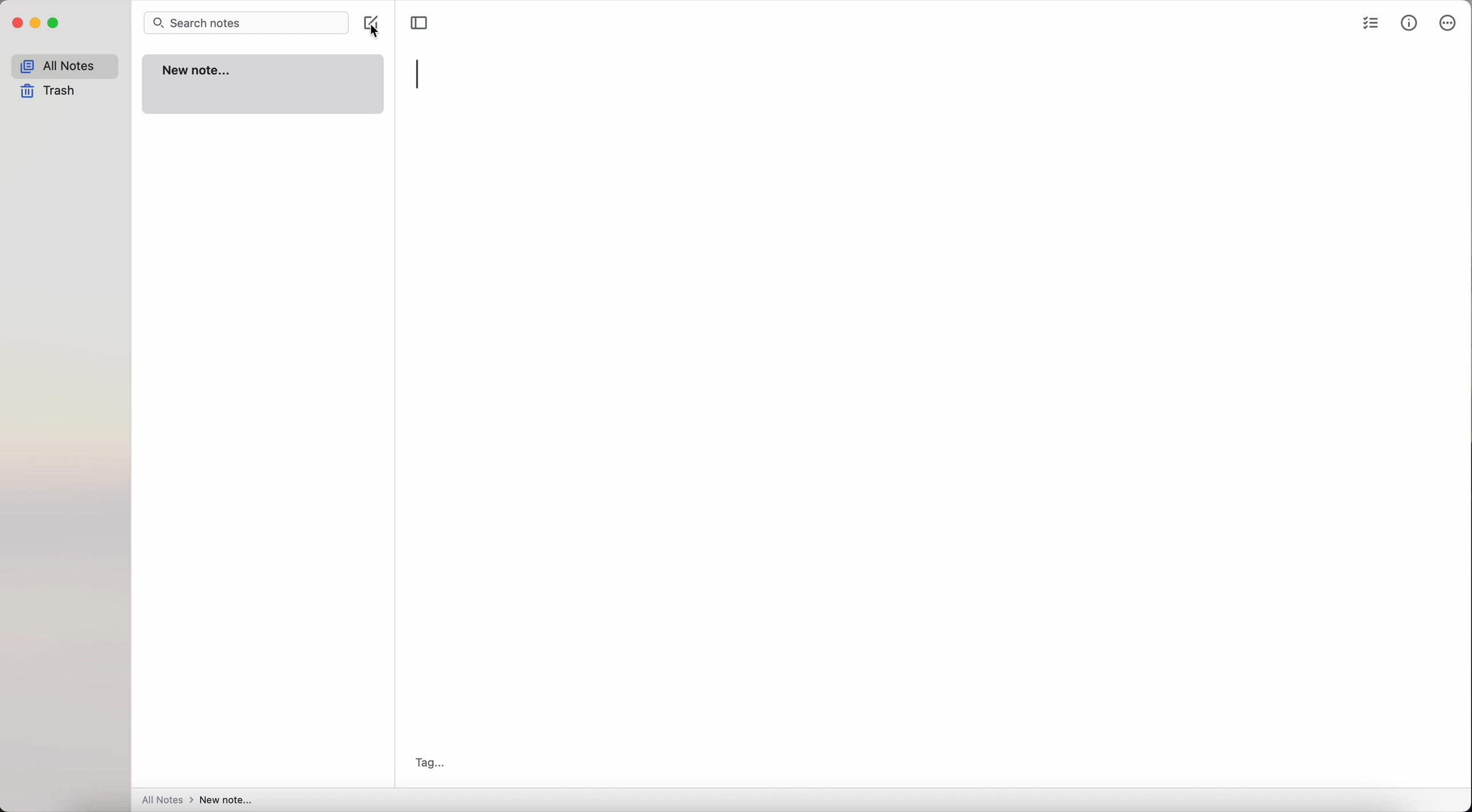 The height and width of the screenshot is (812, 1472). Describe the element at coordinates (1446, 23) in the screenshot. I see `more options` at that location.